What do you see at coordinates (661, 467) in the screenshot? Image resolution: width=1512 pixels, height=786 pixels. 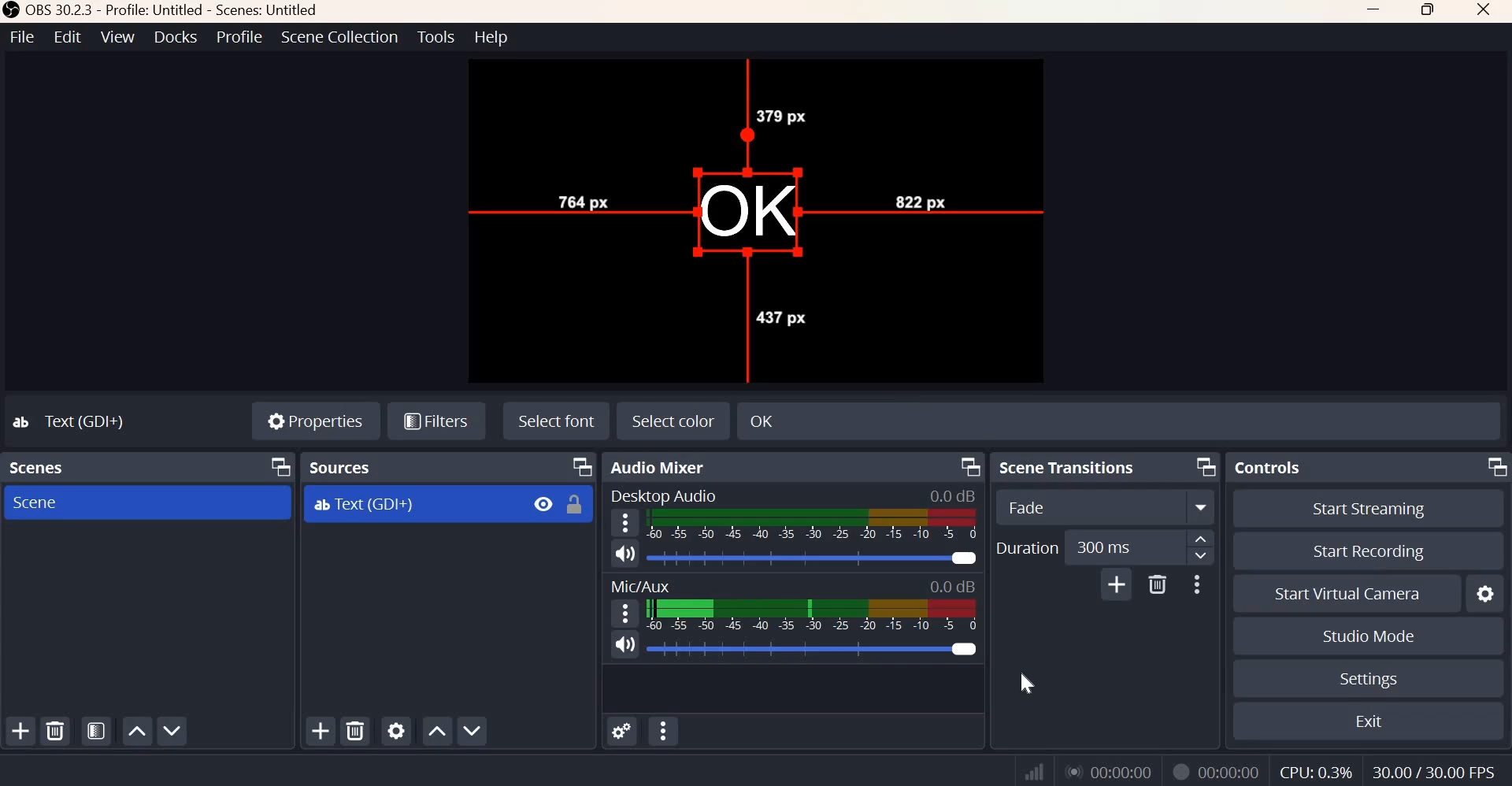 I see `Audio Mixer` at bounding box center [661, 467].